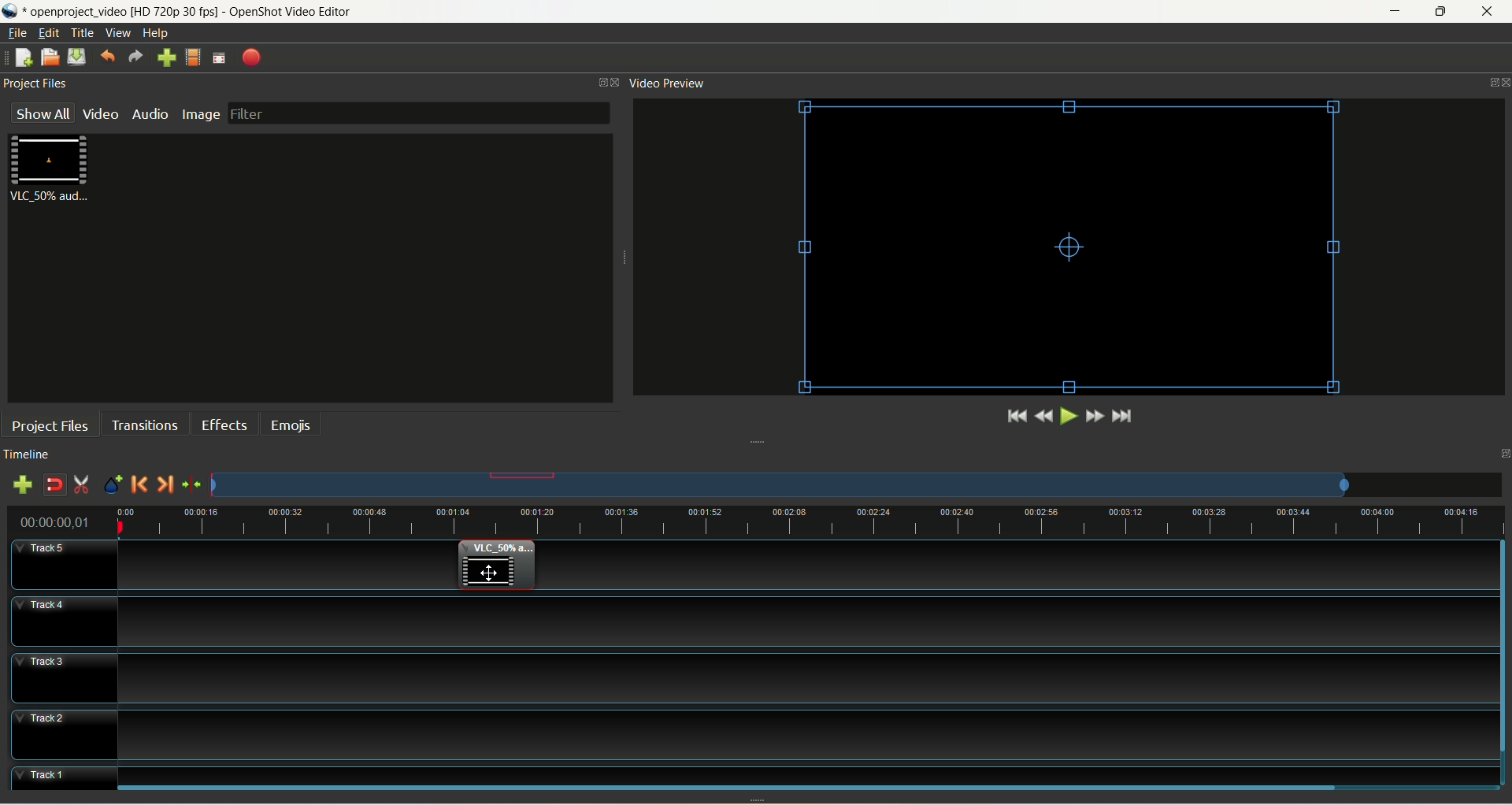 The width and height of the screenshot is (1512, 805). What do you see at coordinates (31, 454) in the screenshot?
I see `timeline` at bounding box center [31, 454].